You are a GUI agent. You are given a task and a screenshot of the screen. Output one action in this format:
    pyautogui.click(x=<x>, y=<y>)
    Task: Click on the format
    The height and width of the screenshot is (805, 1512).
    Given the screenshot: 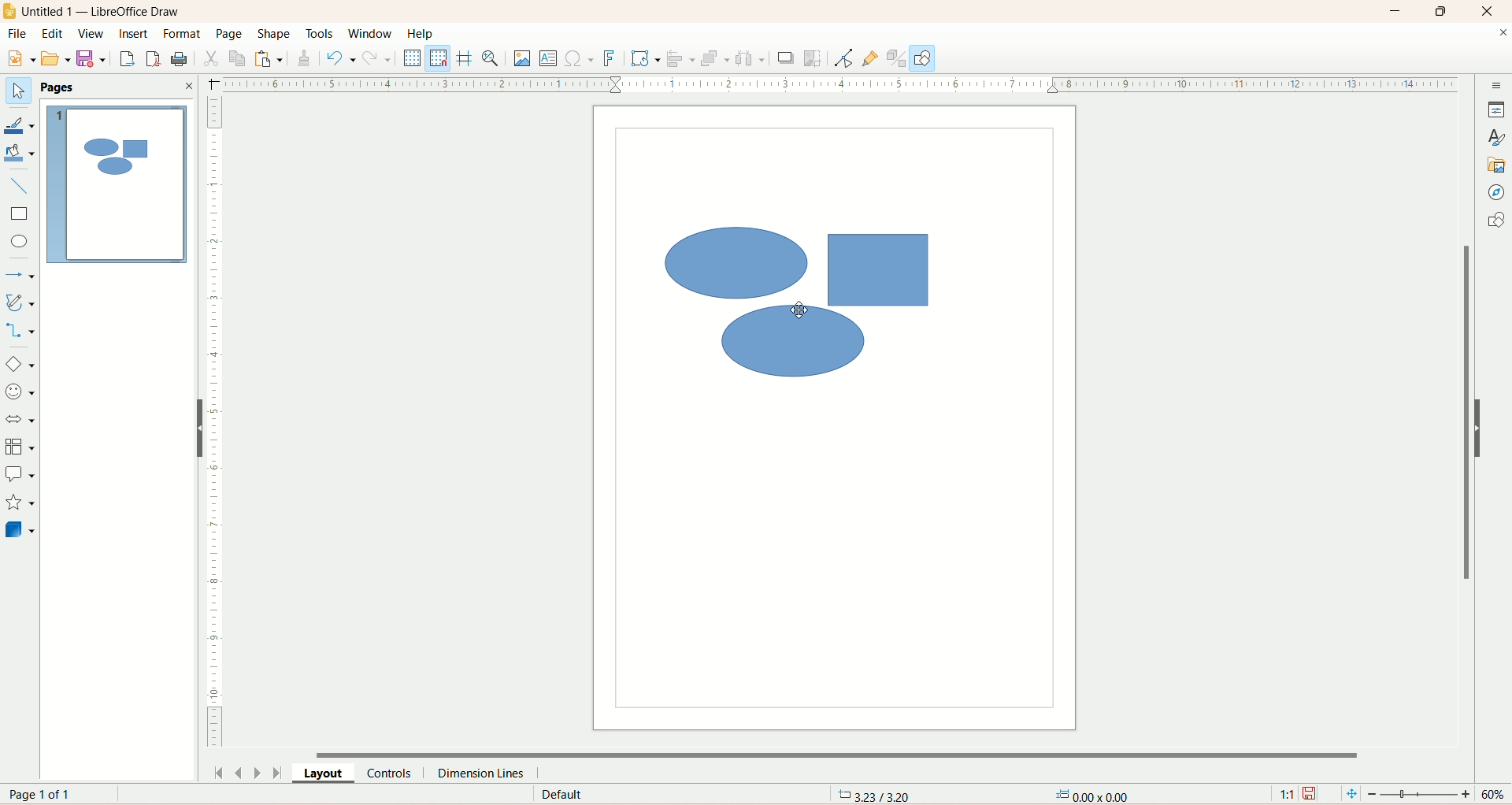 What is the action you would take?
    pyautogui.click(x=183, y=35)
    